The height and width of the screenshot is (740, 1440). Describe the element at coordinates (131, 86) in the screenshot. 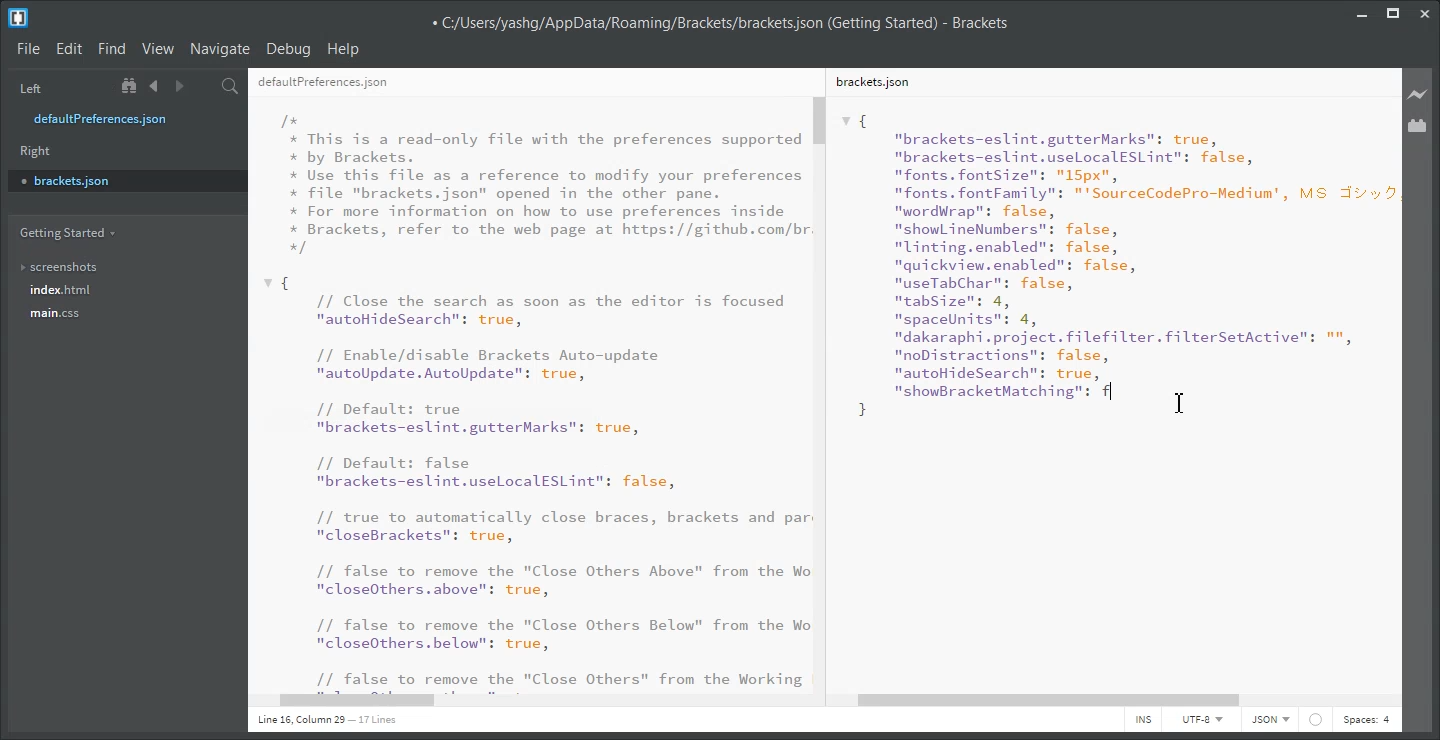

I see `Show in the file tree` at that location.